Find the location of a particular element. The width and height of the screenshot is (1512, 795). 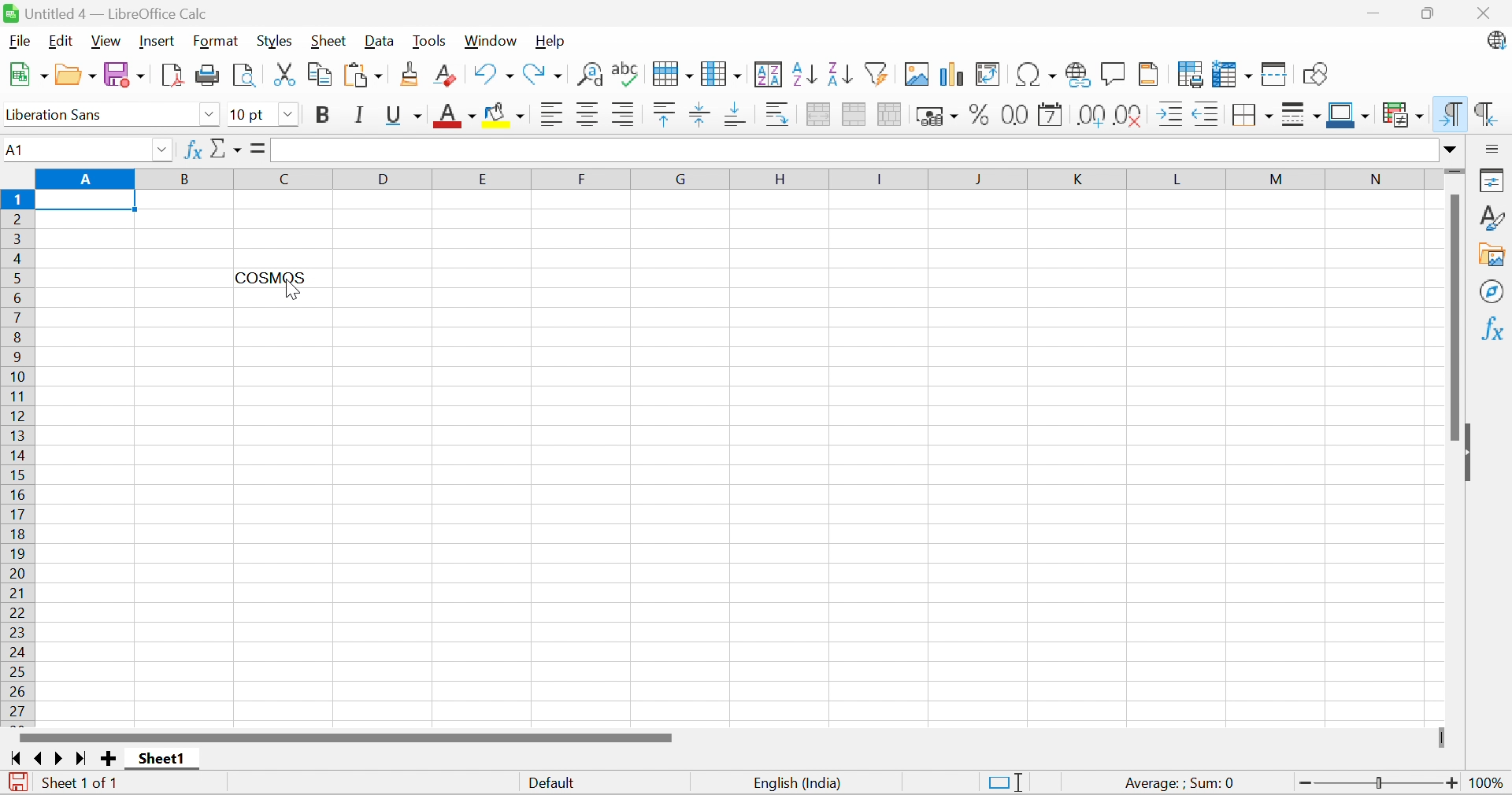

Row Number is located at coordinates (17, 457).